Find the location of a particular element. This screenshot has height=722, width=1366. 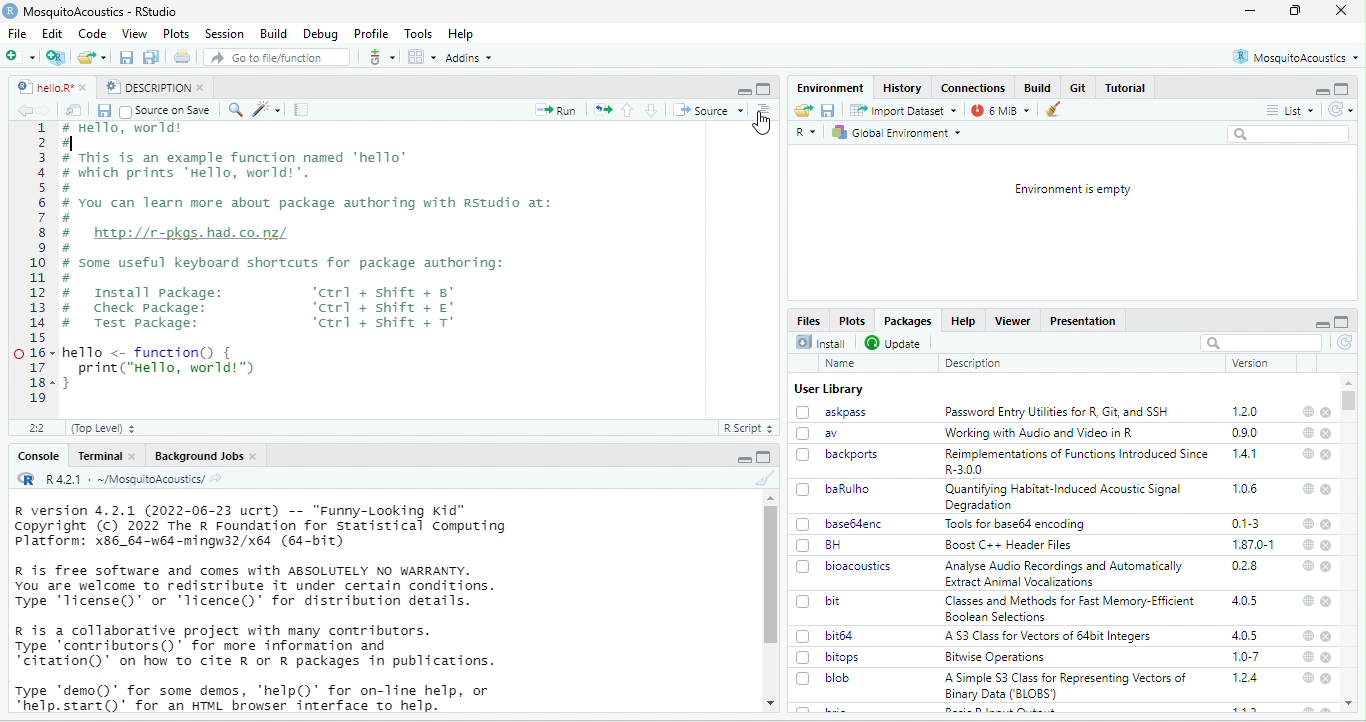

close is located at coordinates (1327, 524).